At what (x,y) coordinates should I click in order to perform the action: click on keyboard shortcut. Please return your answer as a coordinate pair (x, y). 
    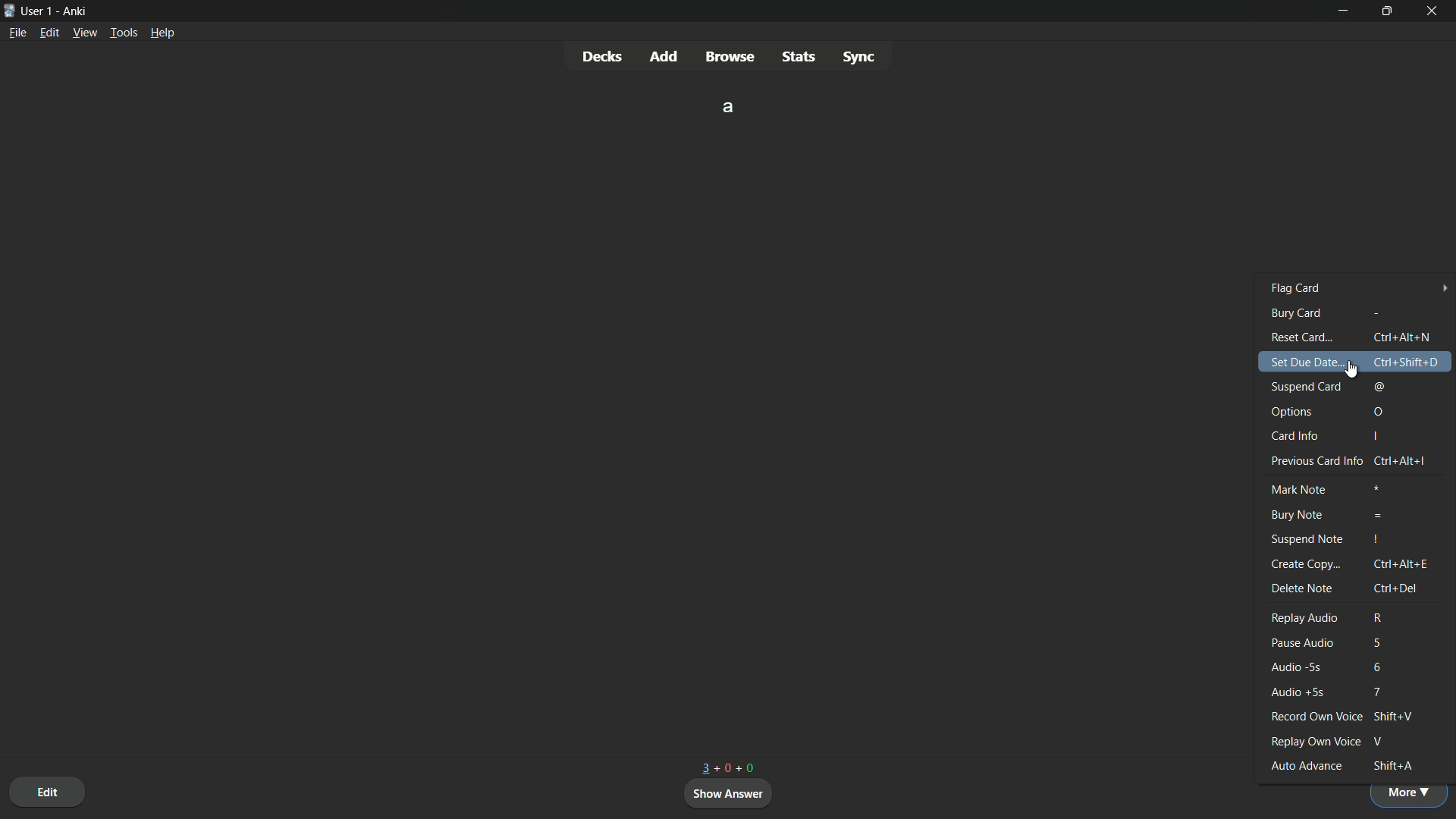
    Looking at the image, I should click on (1374, 488).